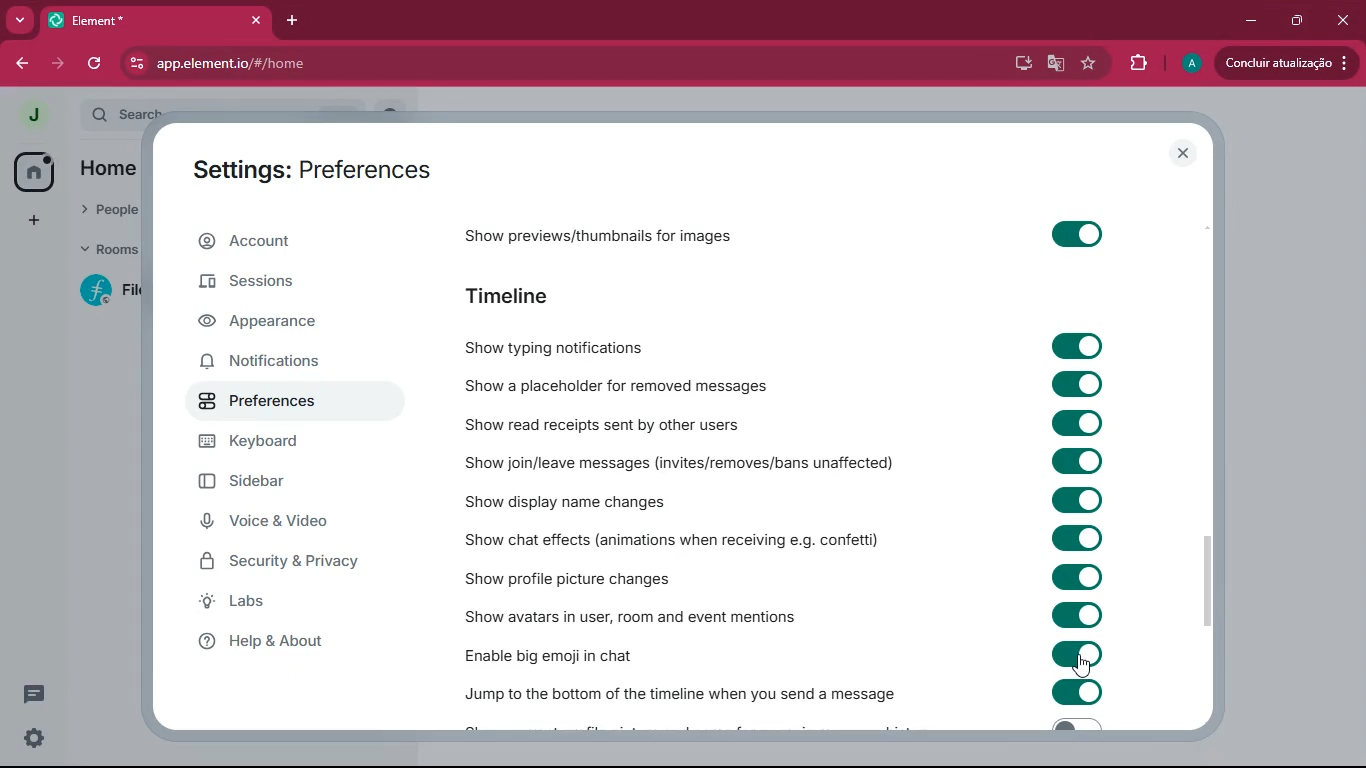  What do you see at coordinates (1074, 498) in the screenshot?
I see `toggle on ` at bounding box center [1074, 498].